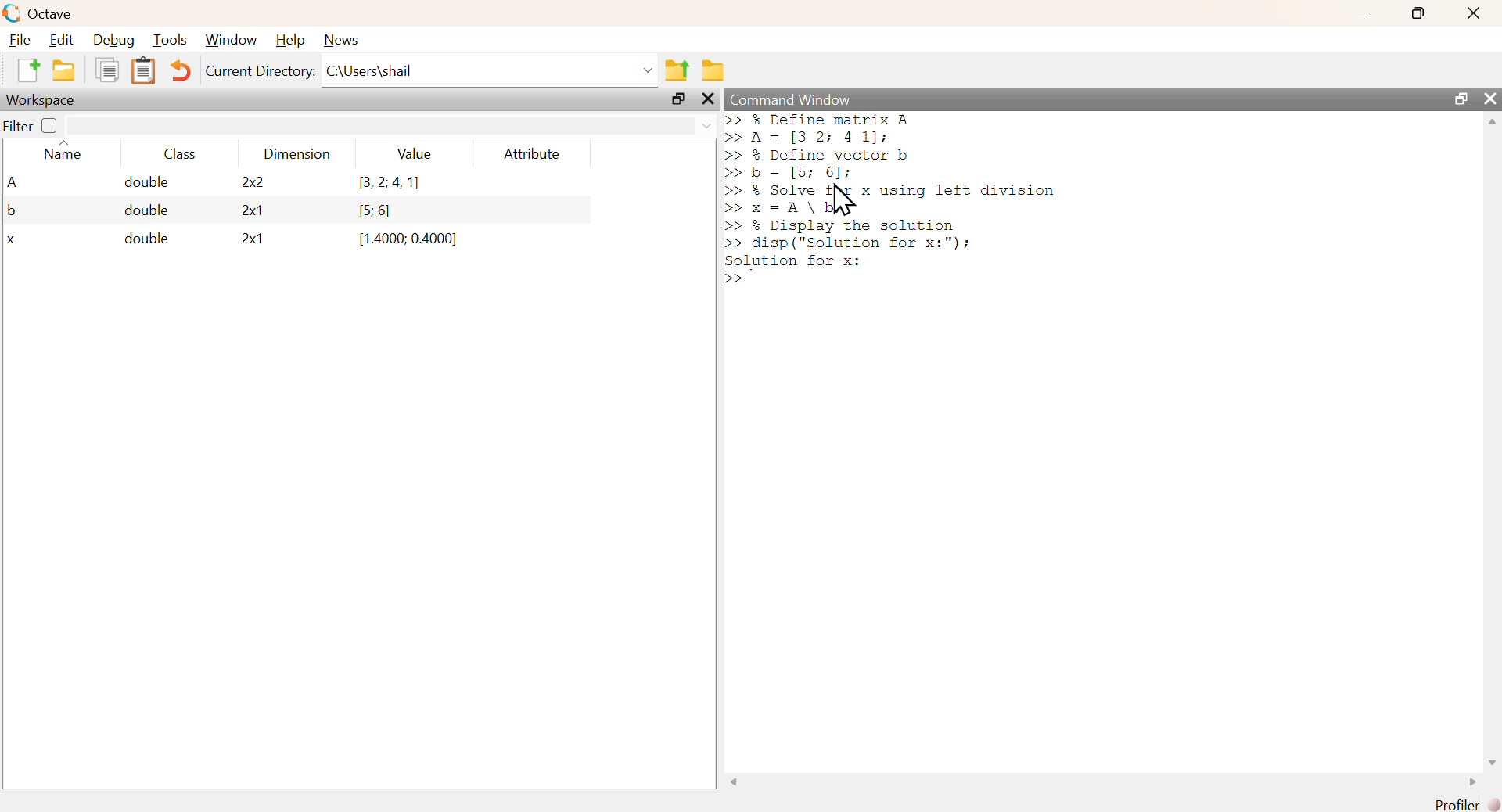 This screenshot has width=1502, height=812. Describe the element at coordinates (171, 40) in the screenshot. I see `tools` at that location.